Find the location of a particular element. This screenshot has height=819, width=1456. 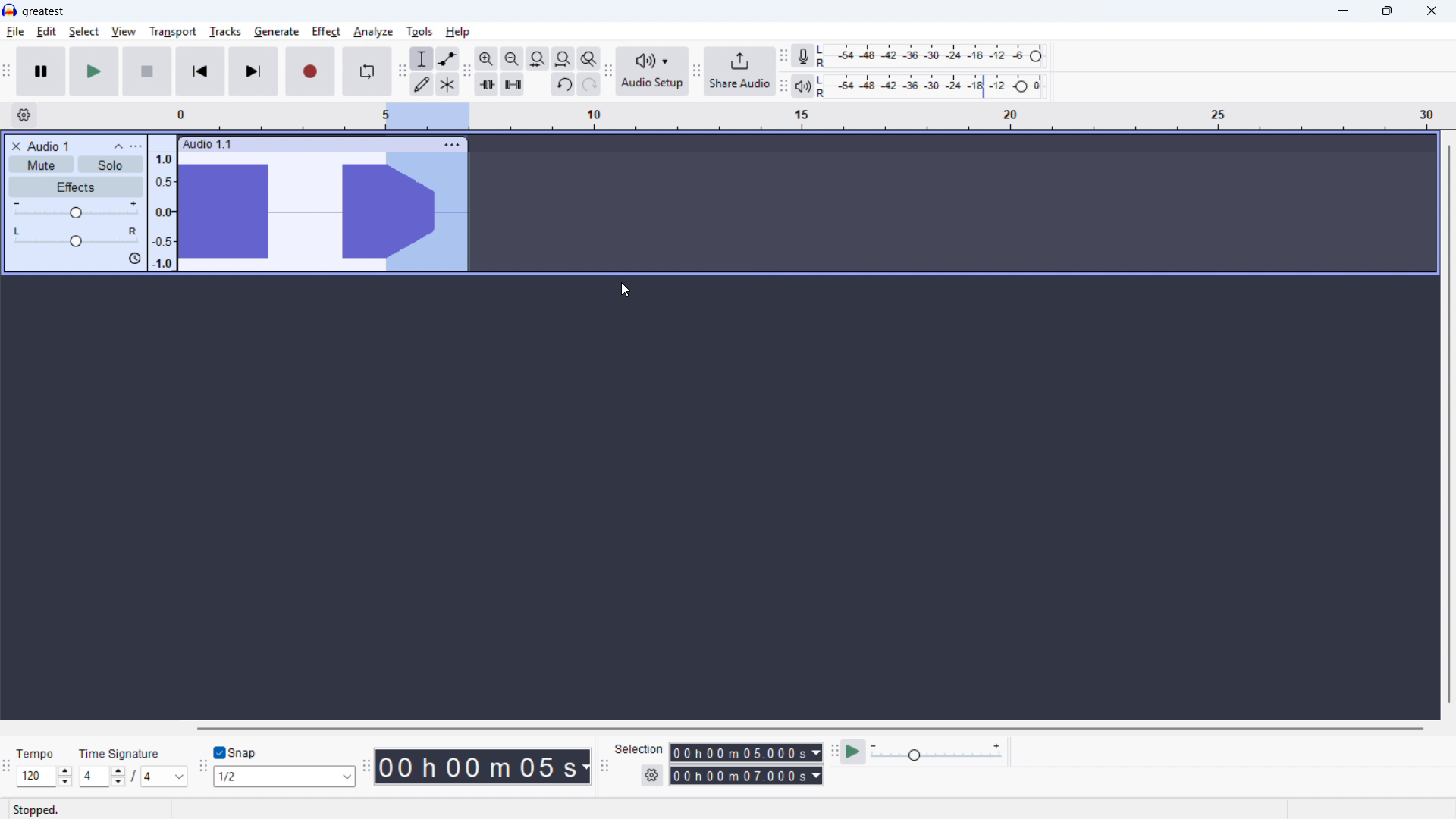

amplitude is located at coordinates (163, 209).